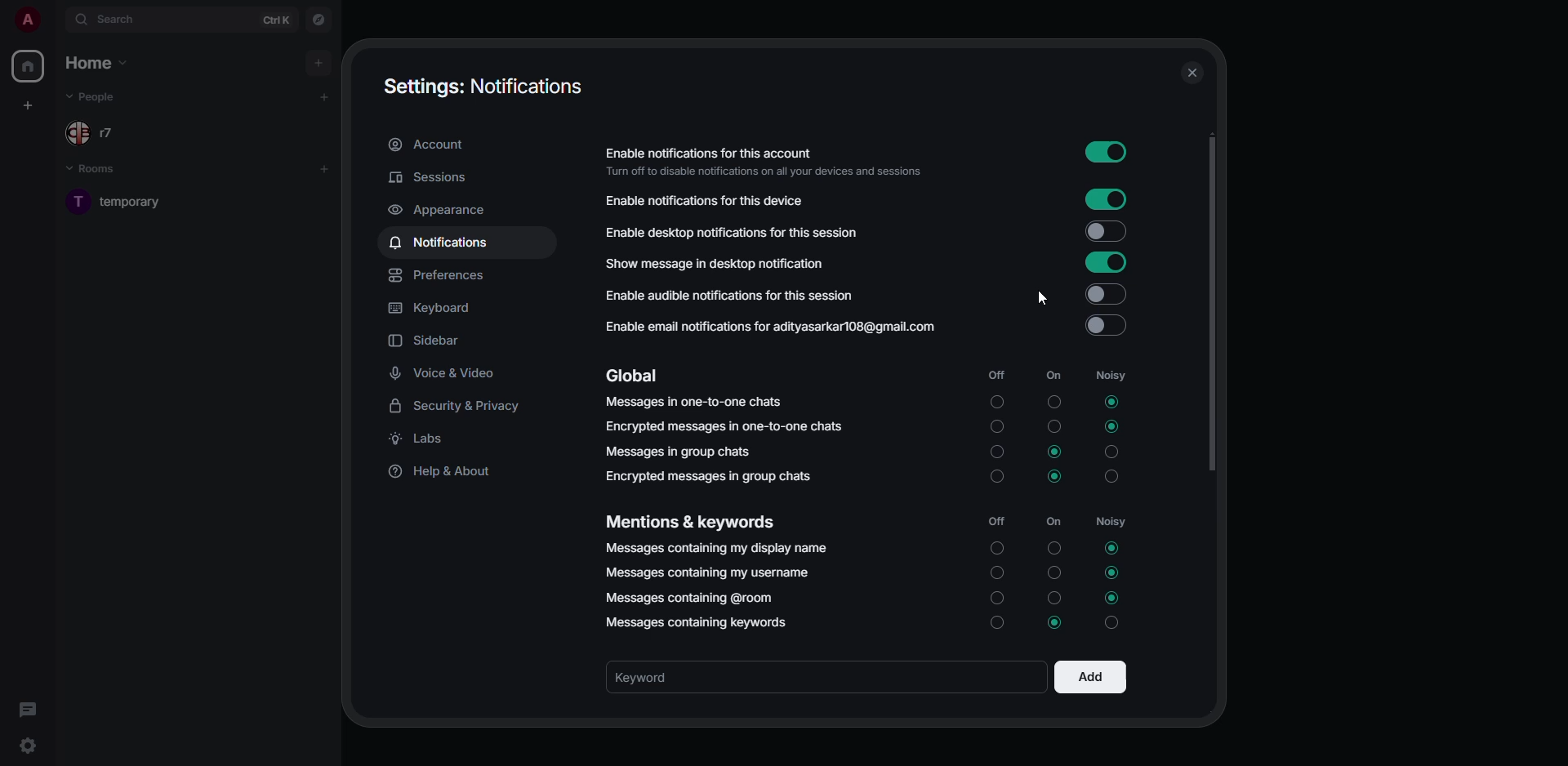  I want to click on create space, so click(31, 102).